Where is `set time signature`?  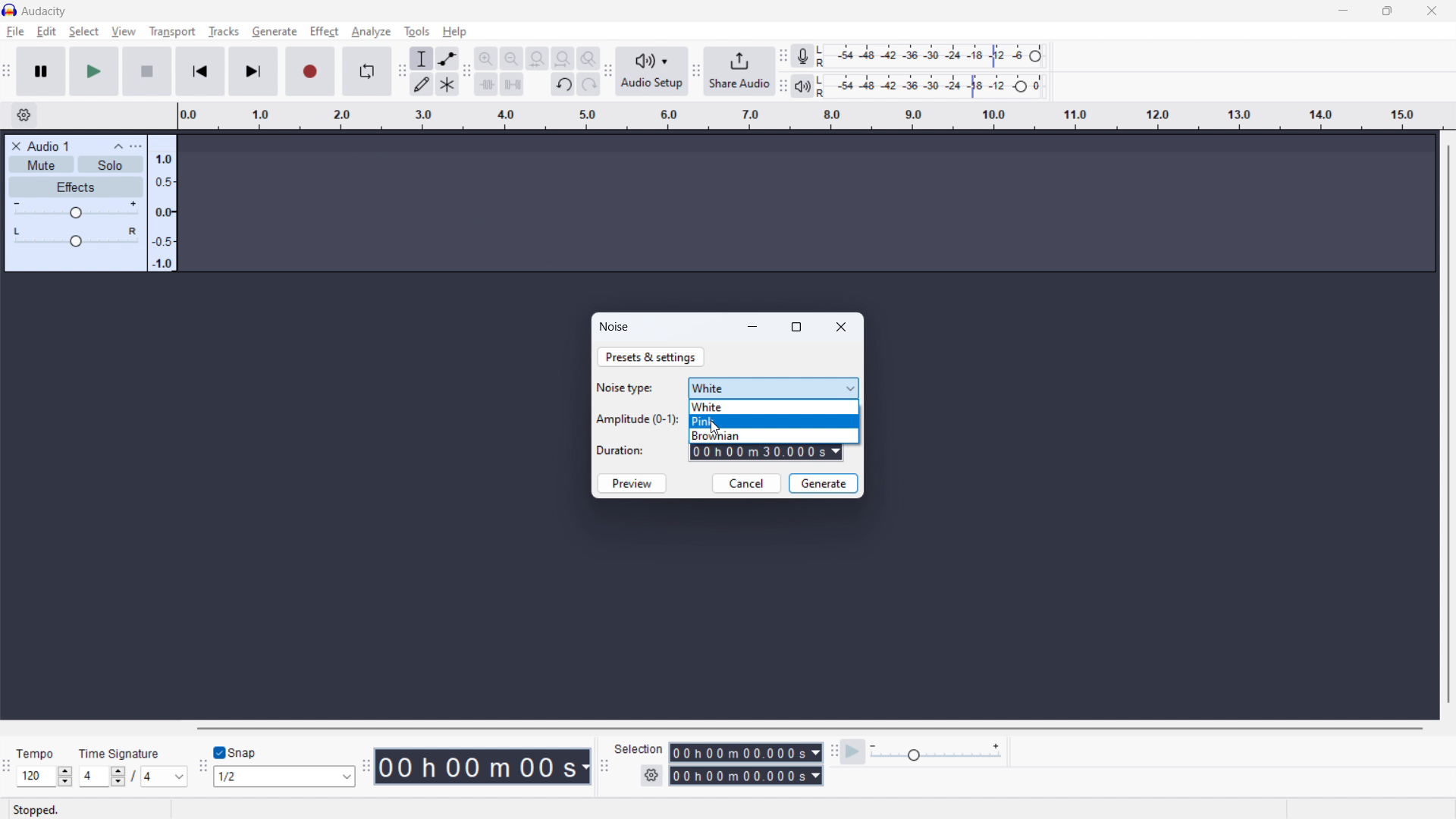
set time signature is located at coordinates (134, 777).